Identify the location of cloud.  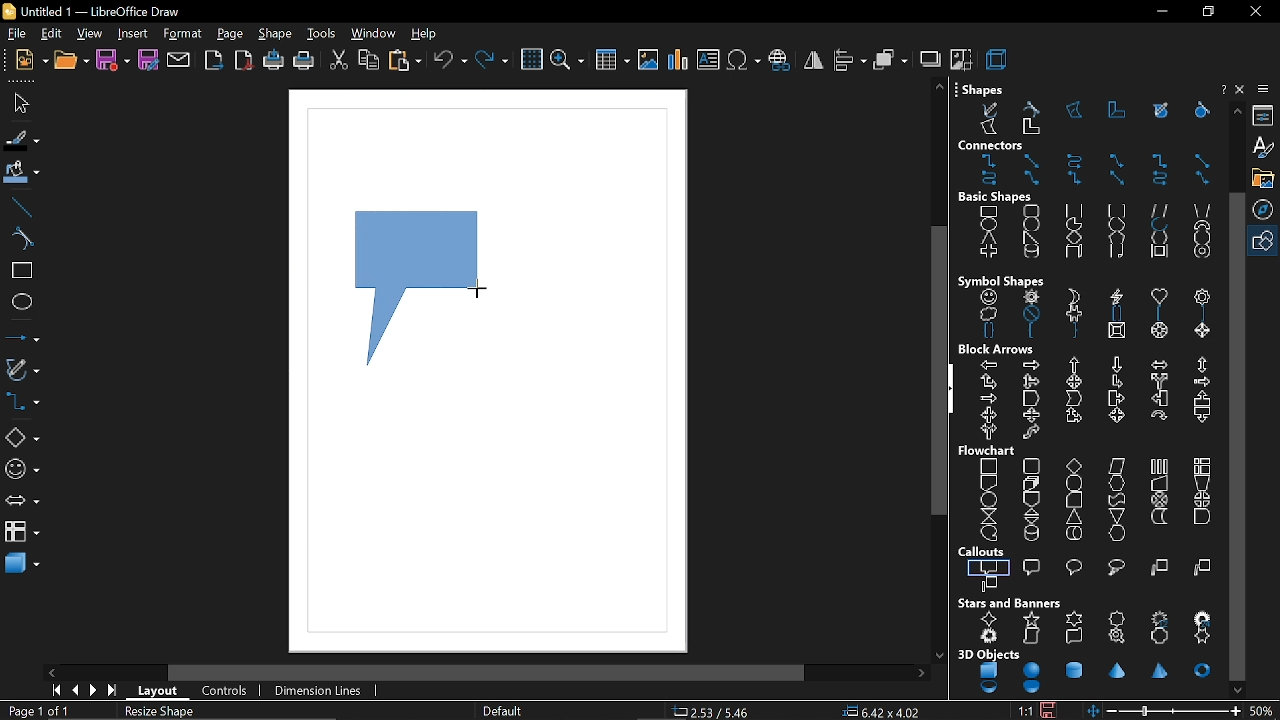
(1114, 568).